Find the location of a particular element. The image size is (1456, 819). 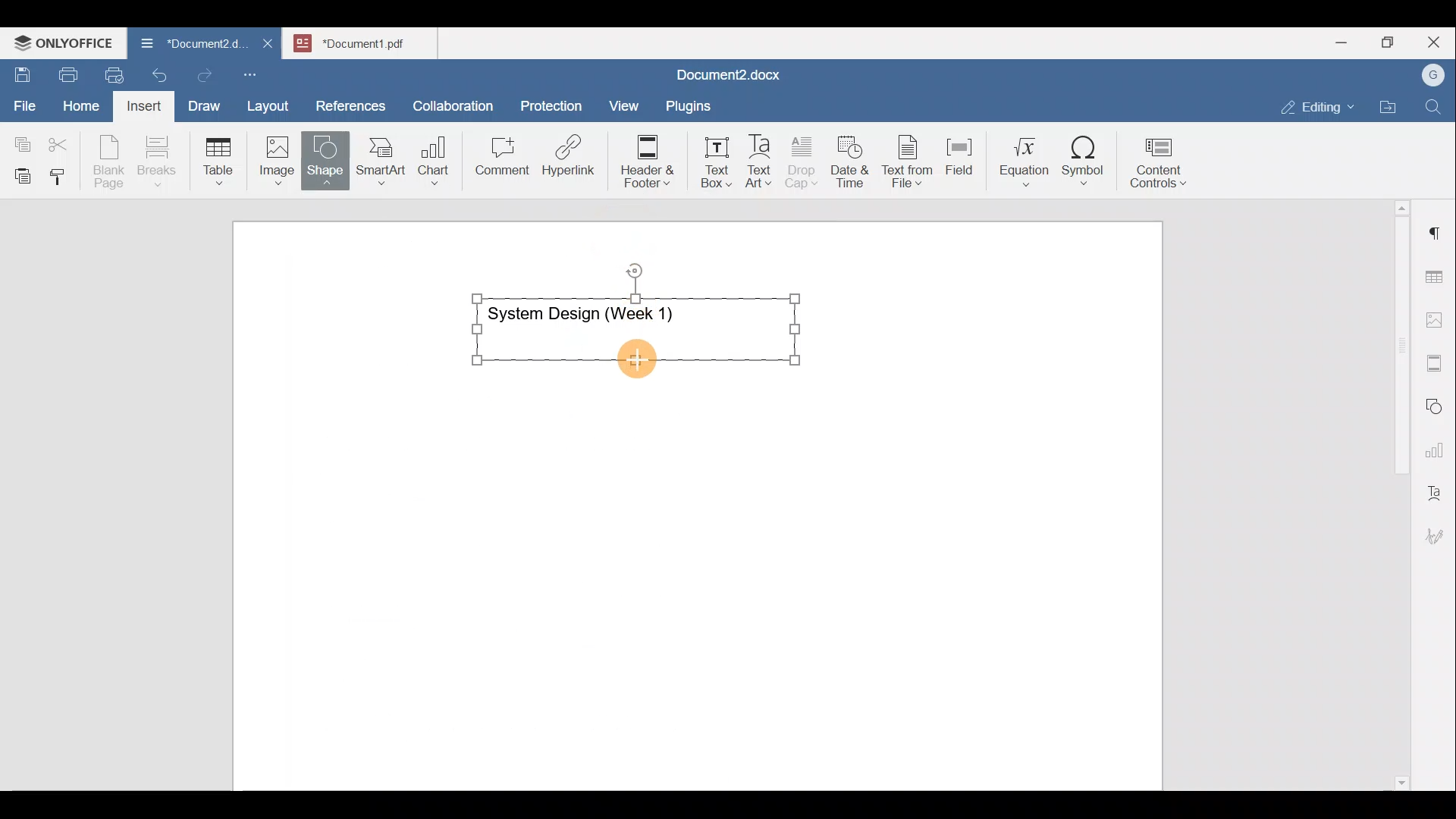

Undo is located at coordinates (156, 73).